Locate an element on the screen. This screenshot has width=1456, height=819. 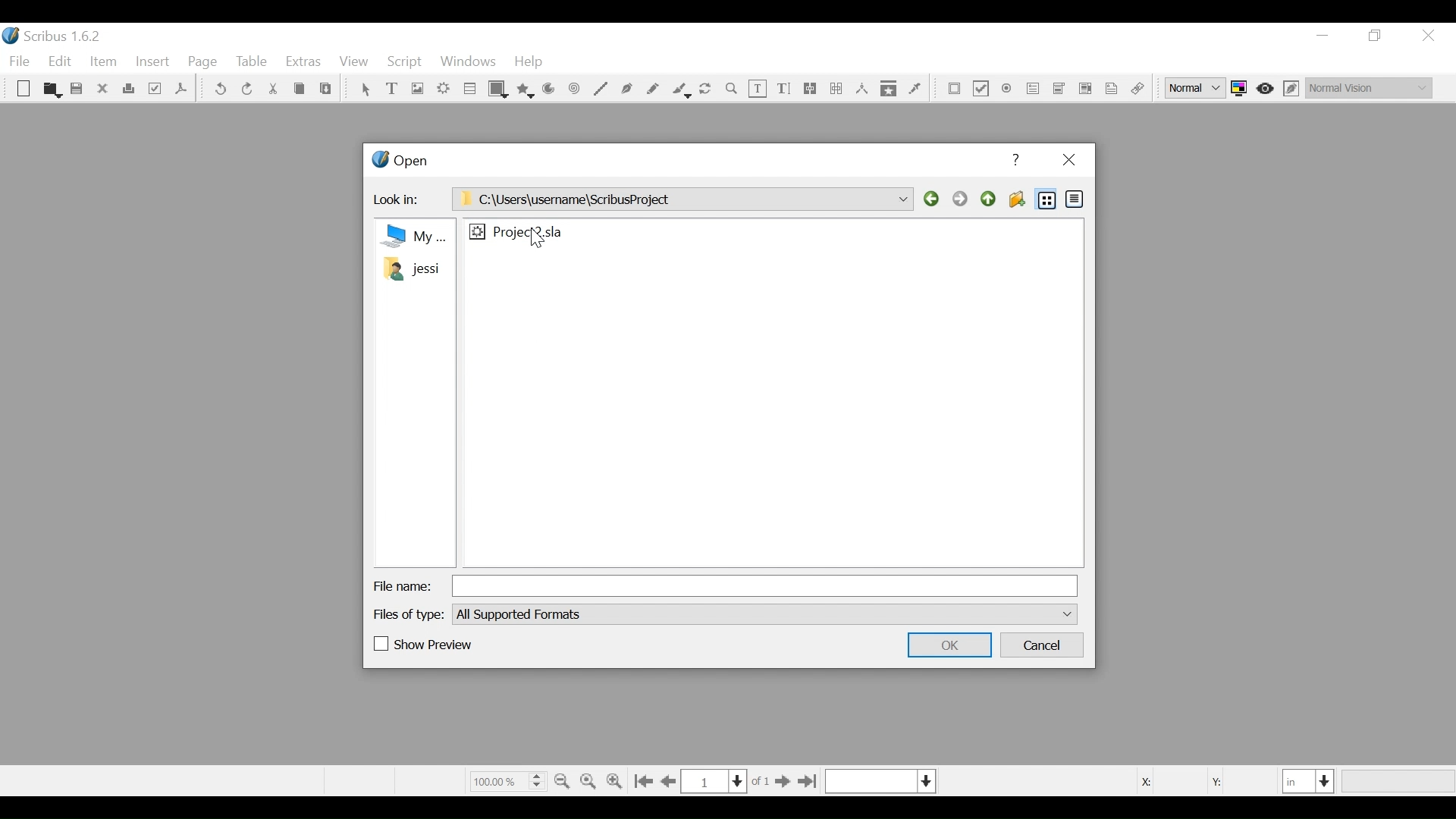
Go to first Page is located at coordinates (645, 781).